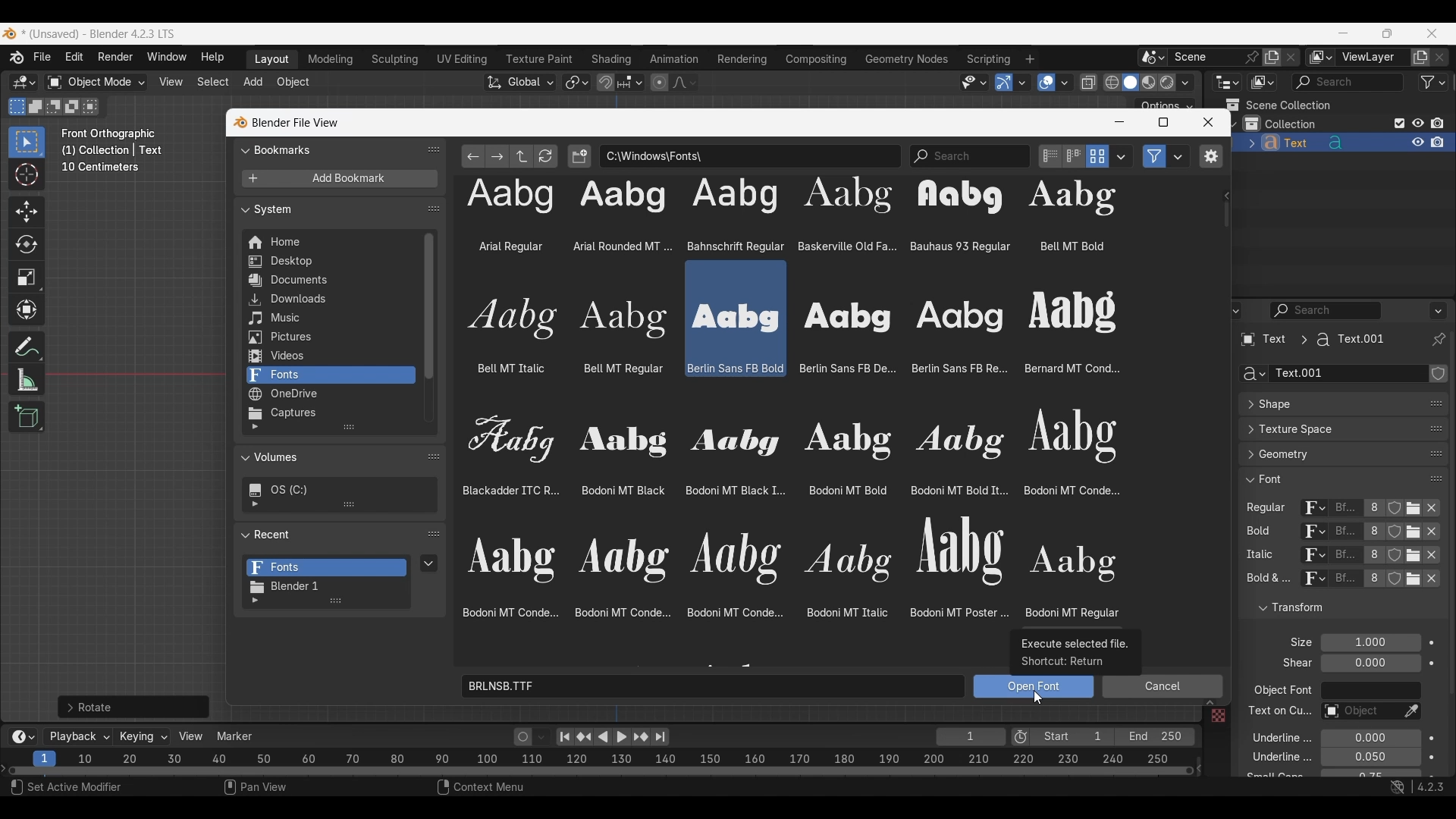  Describe the element at coordinates (1359, 712) in the screenshot. I see `Text on curve` at that location.